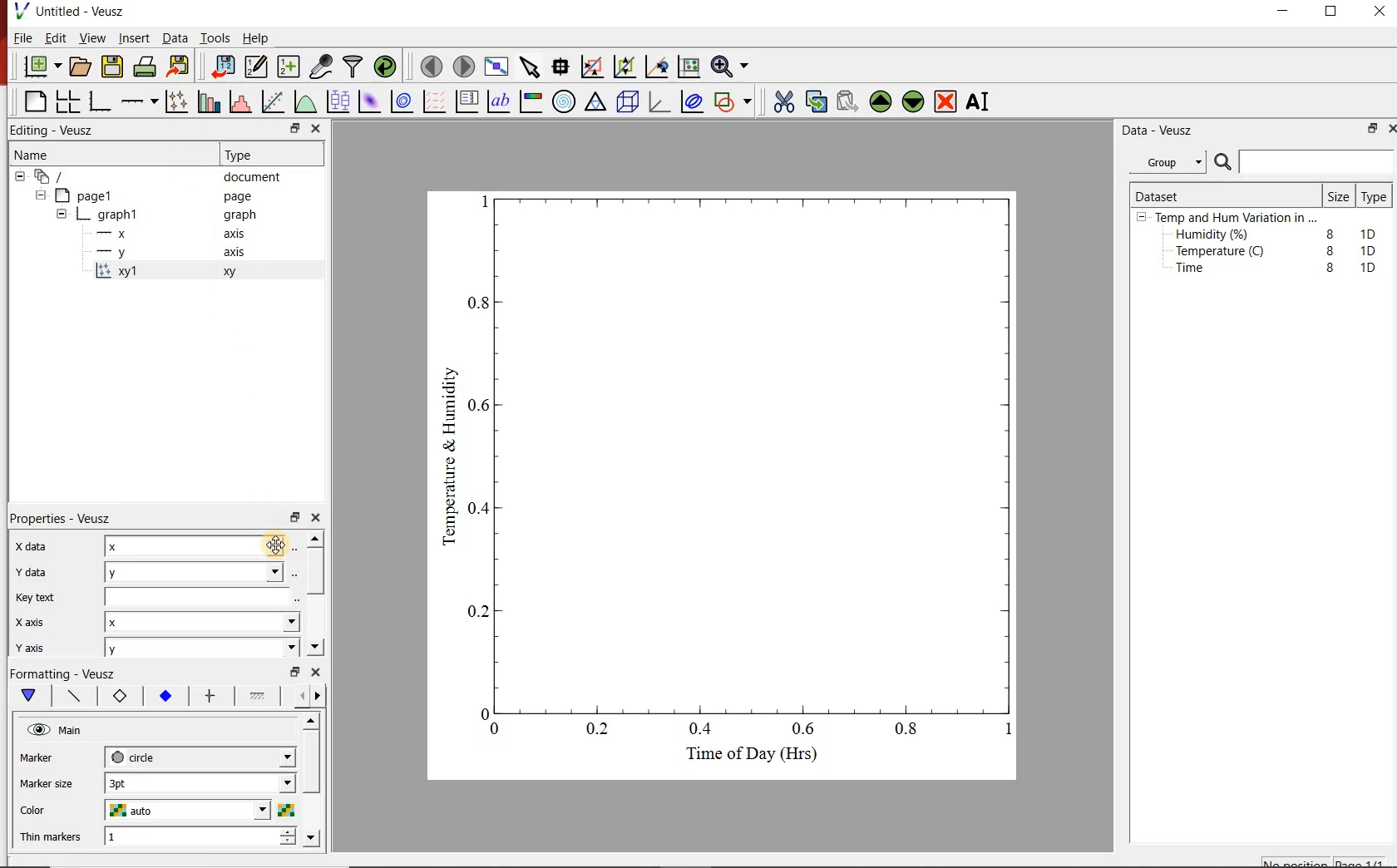  I want to click on select items from the graph or scroll, so click(531, 69).